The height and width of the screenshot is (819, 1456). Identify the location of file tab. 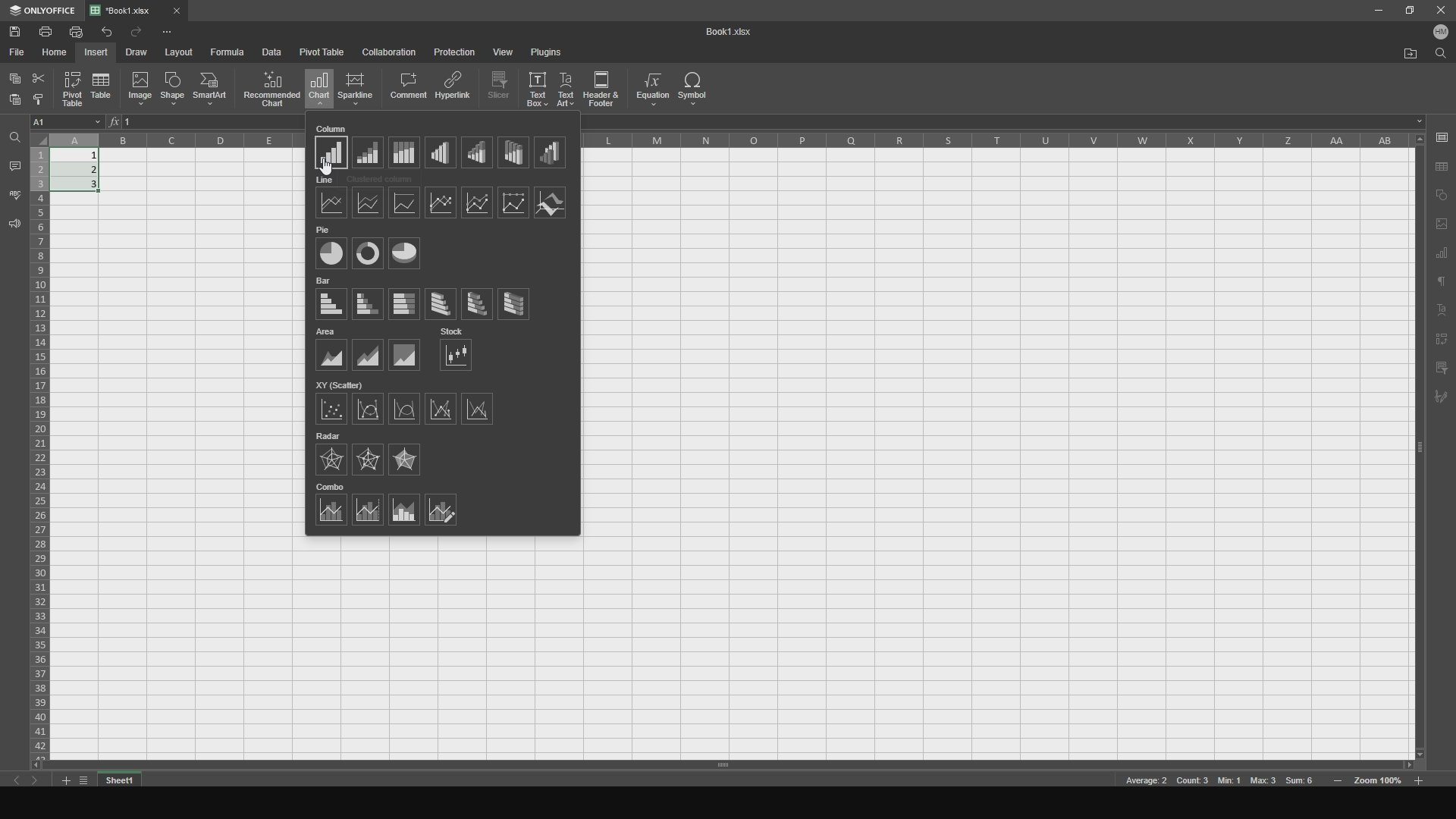
(154, 9).